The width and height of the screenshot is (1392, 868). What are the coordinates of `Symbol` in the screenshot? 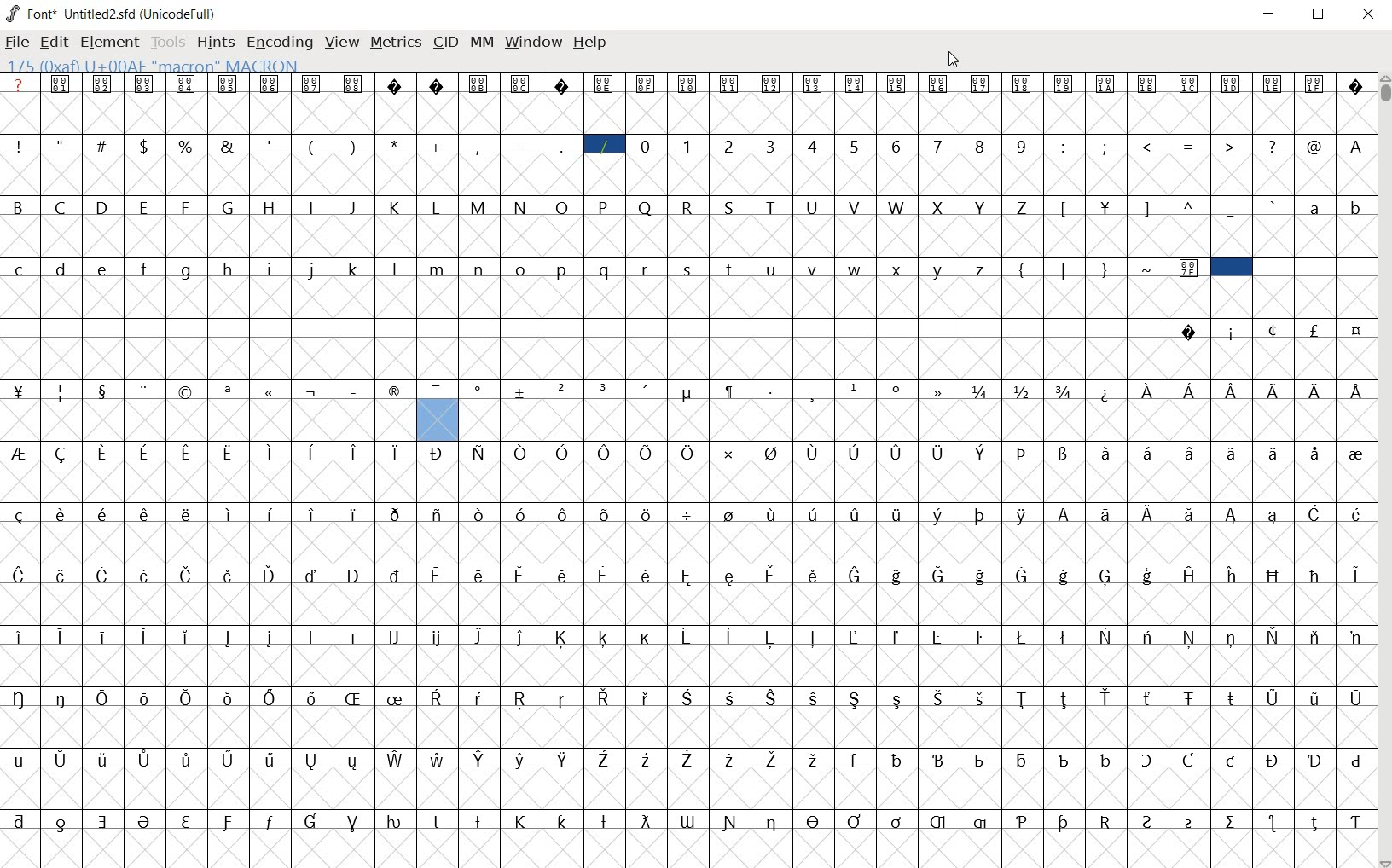 It's located at (395, 451).